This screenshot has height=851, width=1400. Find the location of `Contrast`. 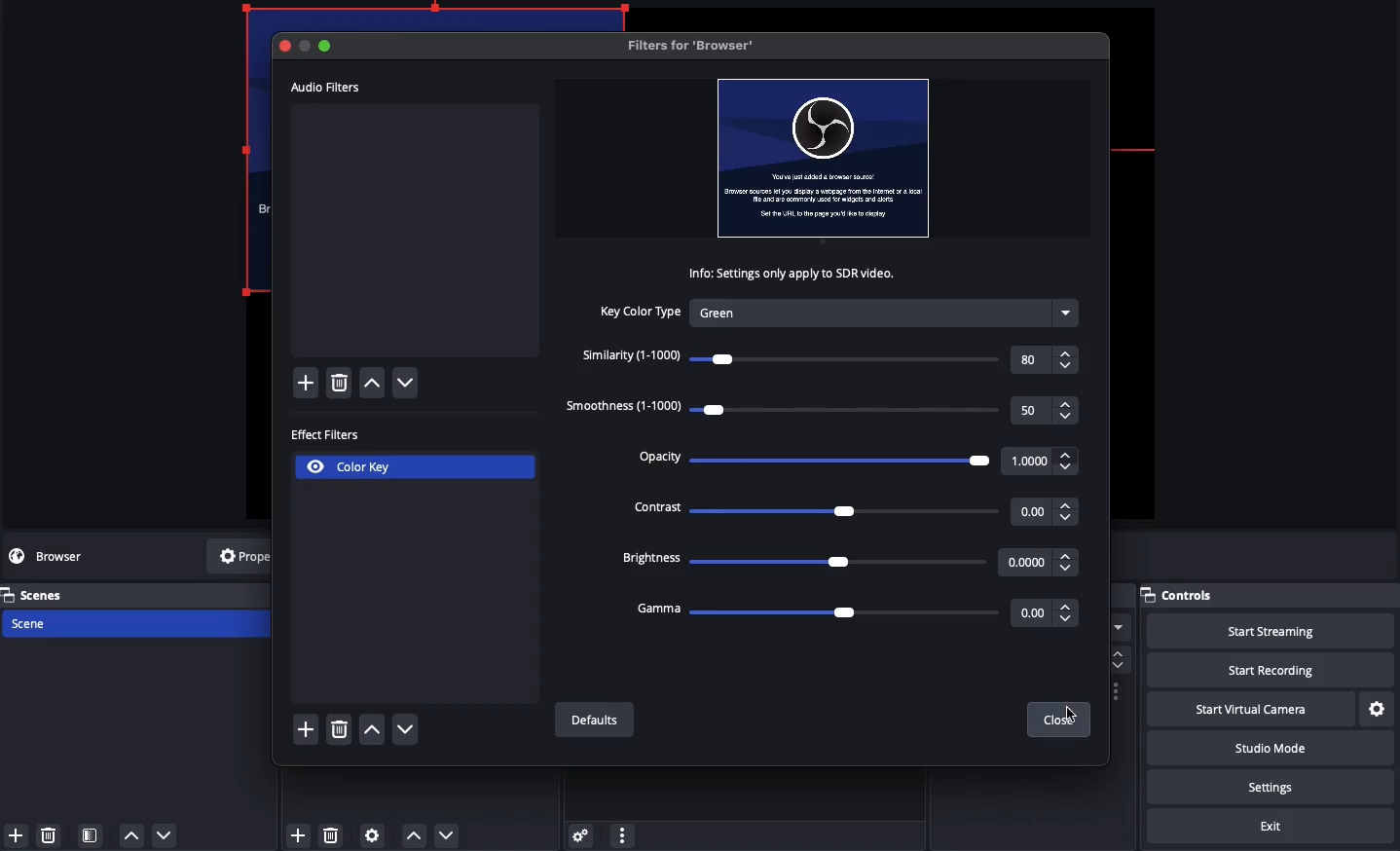

Contrast is located at coordinates (857, 512).